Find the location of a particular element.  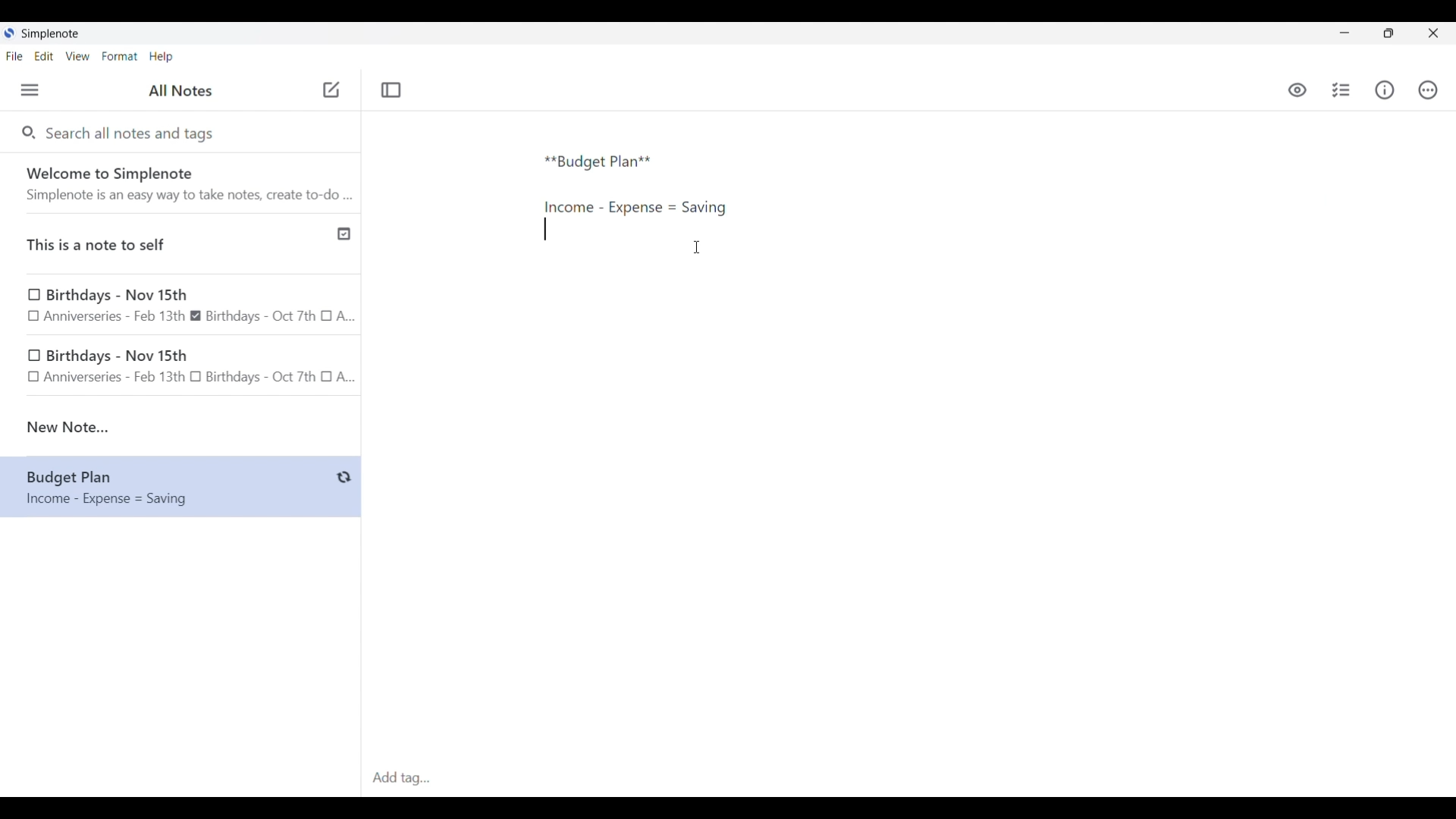

Text line moved down is located at coordinates (545, 229).